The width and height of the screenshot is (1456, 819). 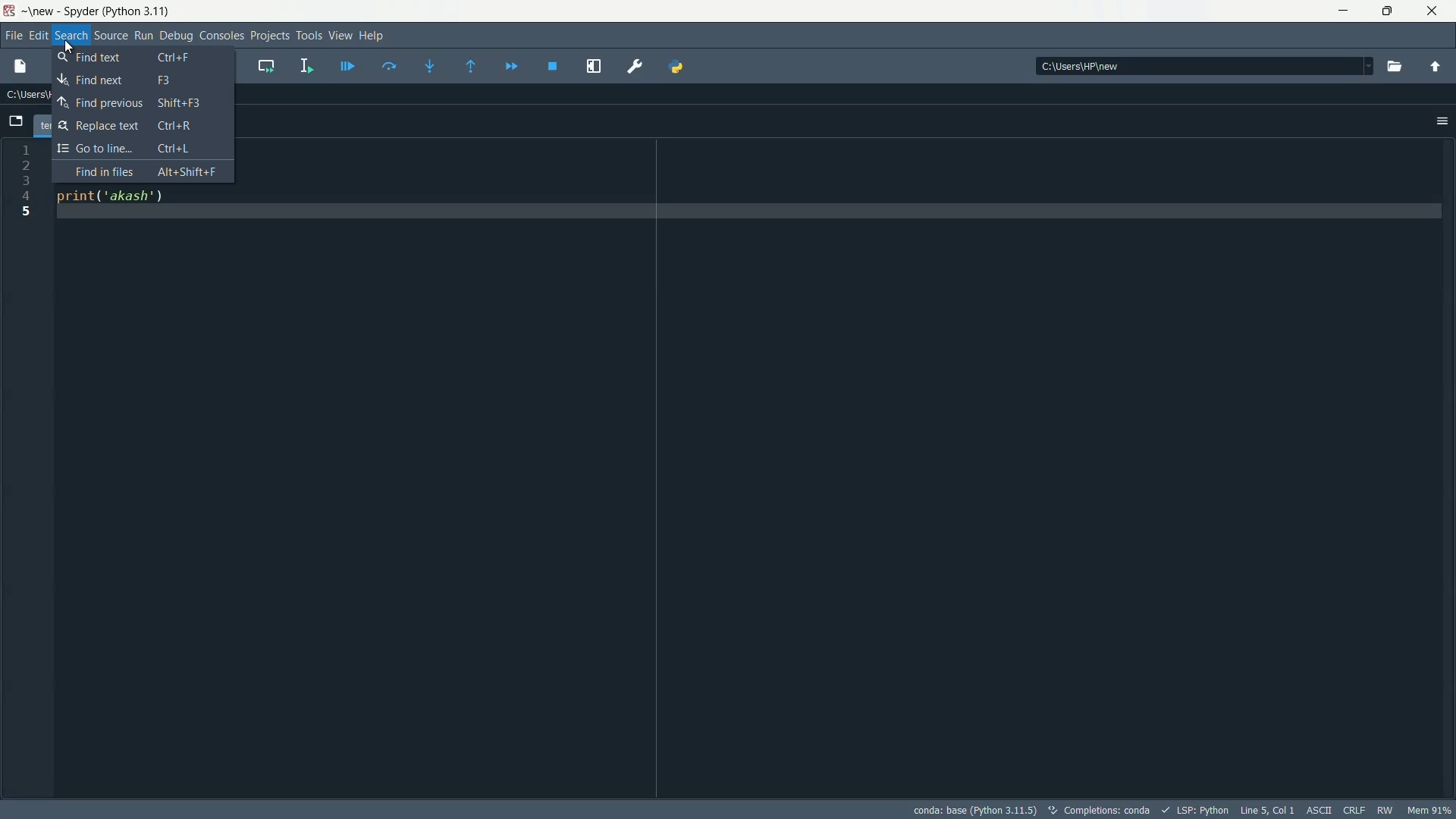 I want to click on options, so click(x=1439, y=121).